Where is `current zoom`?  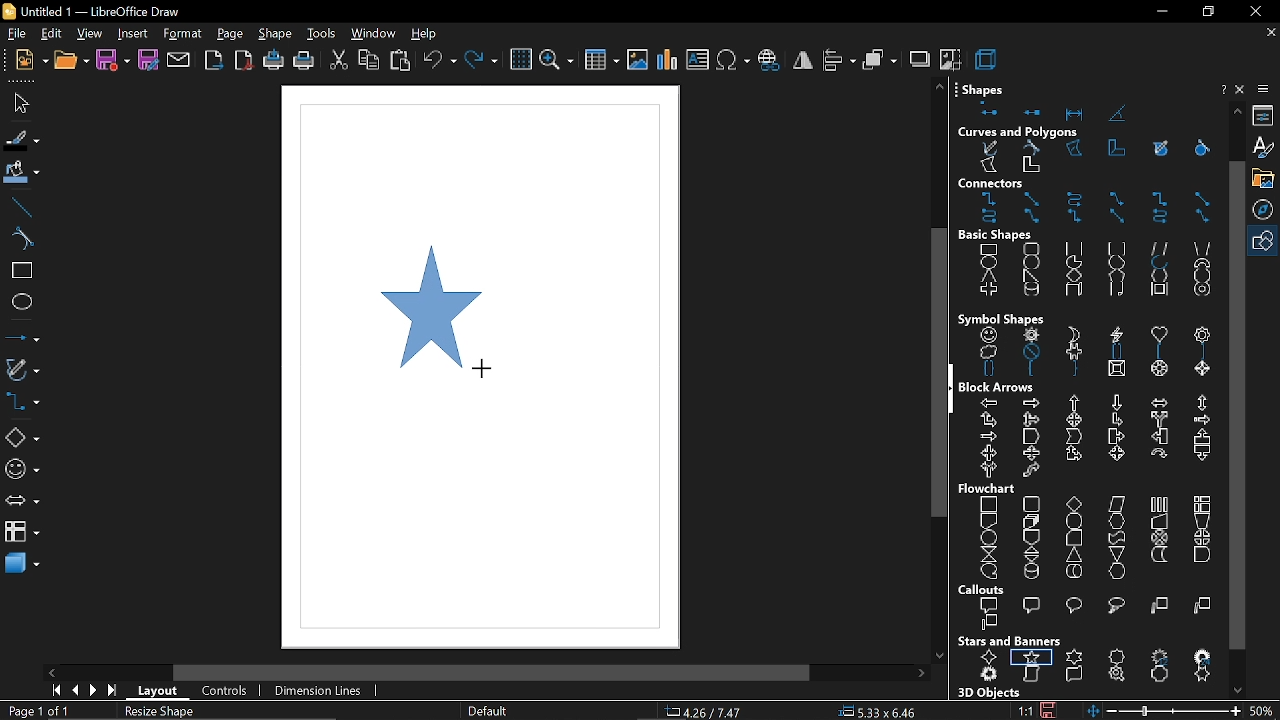
current zoom is located at coordinates (1265, 712).